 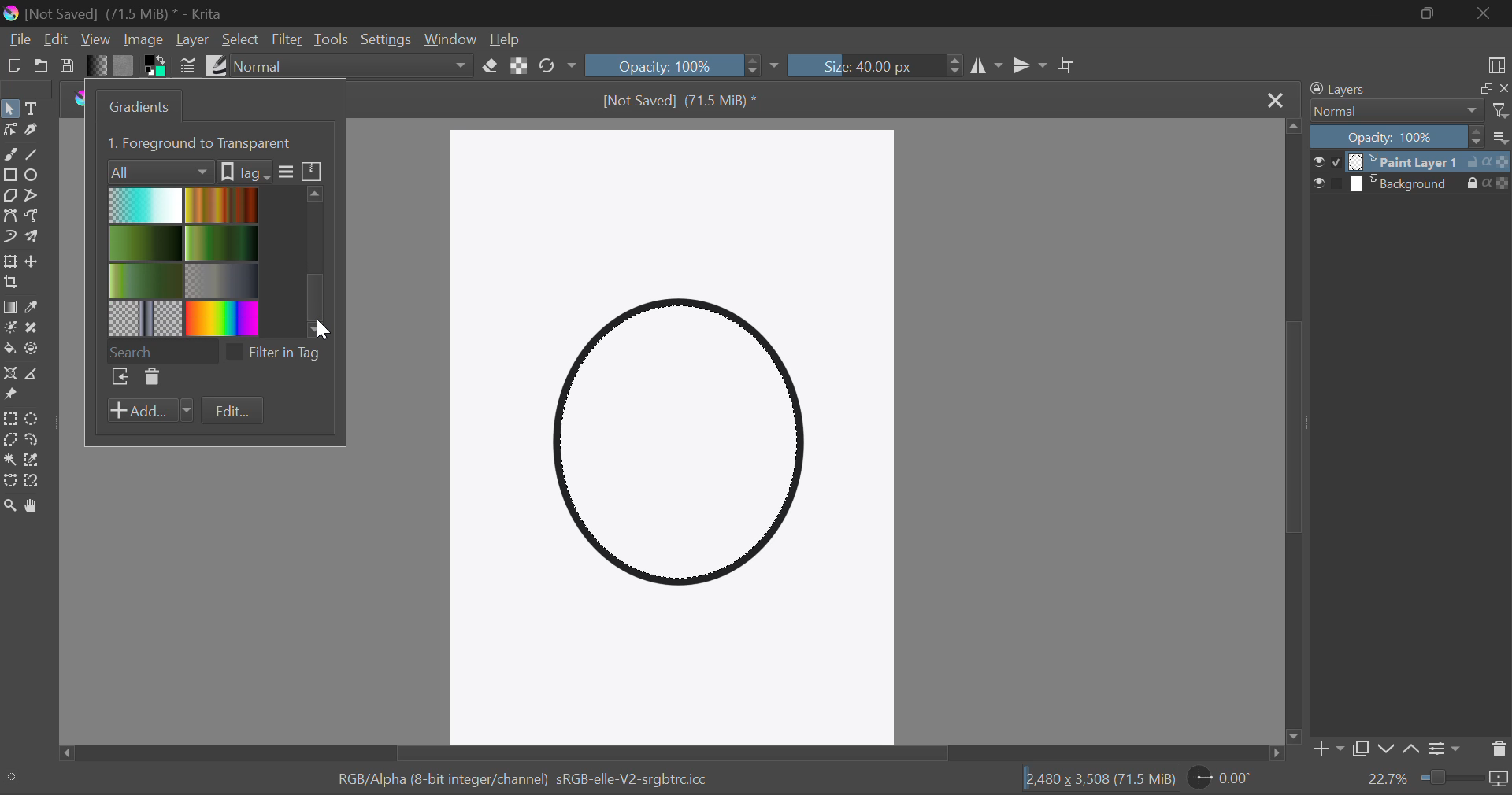 What do you see at coordinates (36, 438) in the screenshot?
I see `Freehand Selection` at bounding box center [36, 438].